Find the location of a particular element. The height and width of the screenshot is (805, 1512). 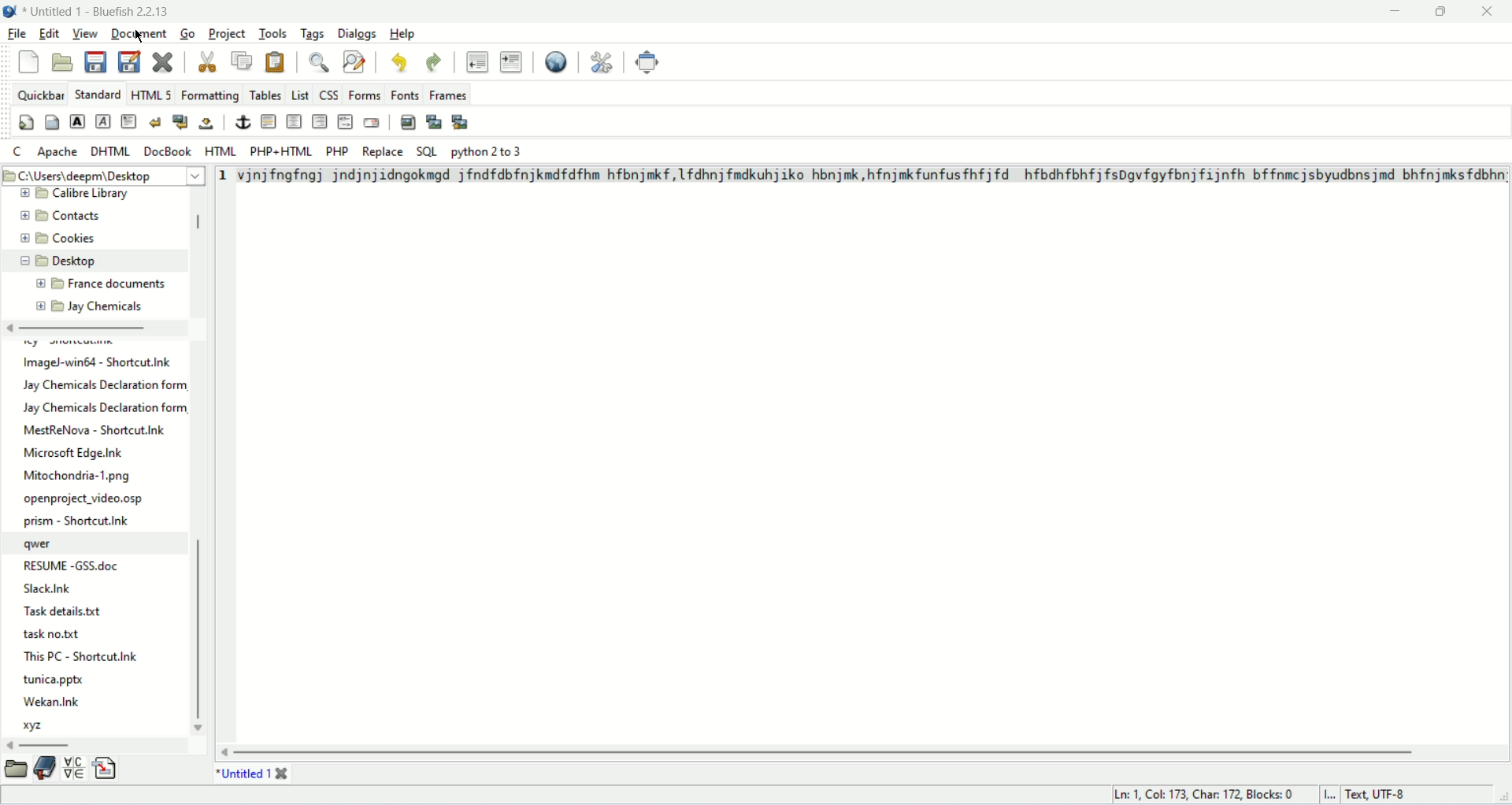

Mitochondria-1.png is located at coordinates (80, 477).